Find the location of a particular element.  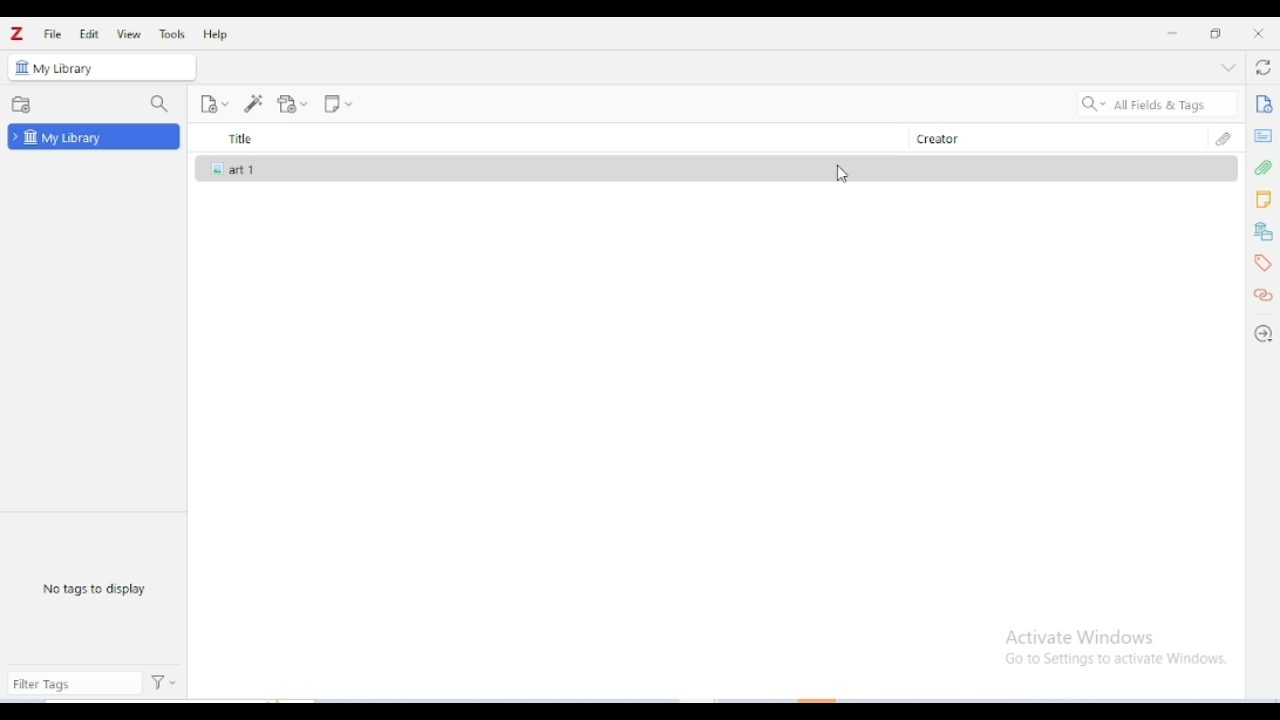

add item(s) by identifier is located at coordinates (254, 103).